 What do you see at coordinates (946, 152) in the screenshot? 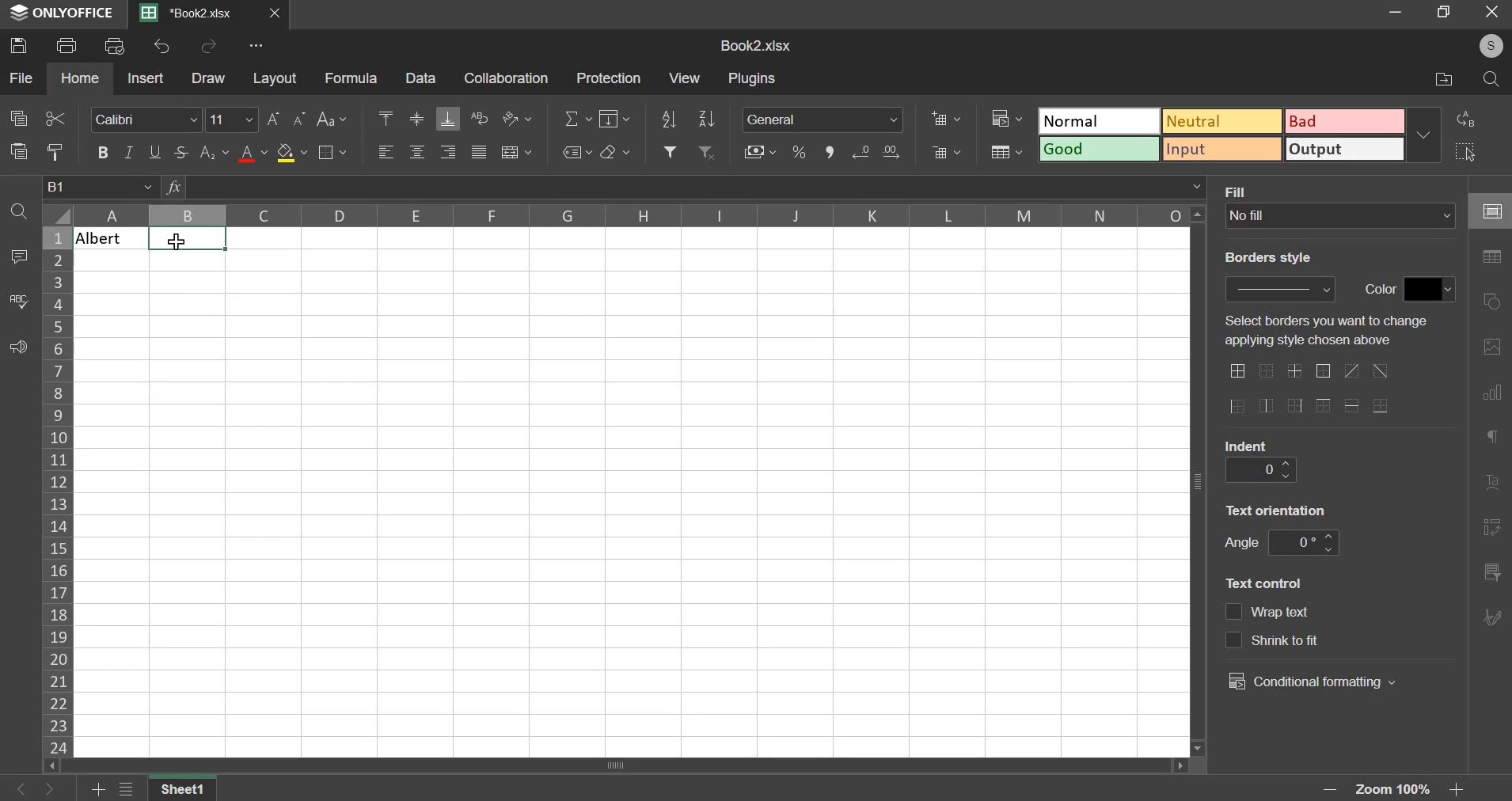
I see `delete cells` at bounding box center [946, 152].